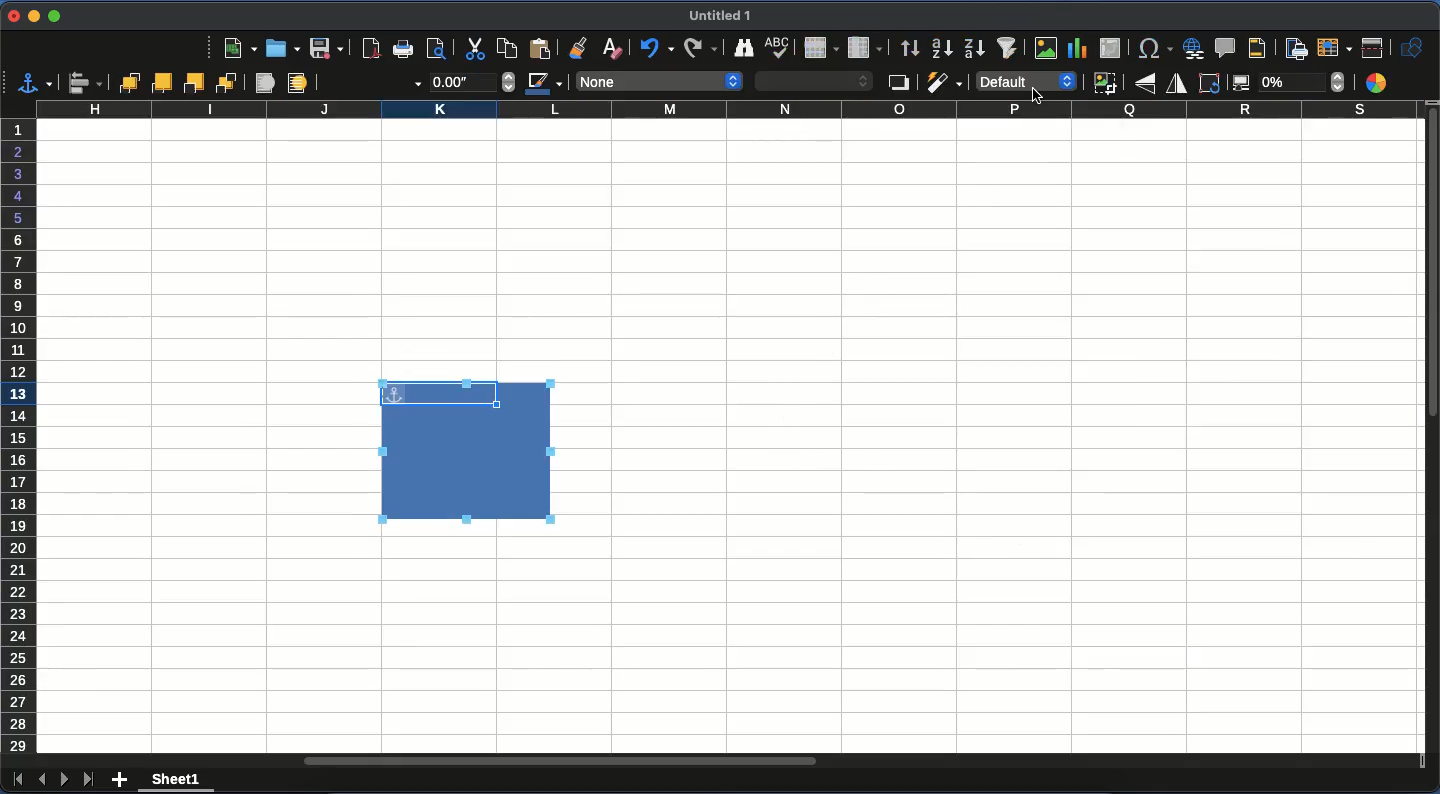 The height and width of the screenshot is (794, 1440). What do you see at coordinates (1263, 47) in the screenshot?
I see `headers and footers` at bounding box center [1263, 47].